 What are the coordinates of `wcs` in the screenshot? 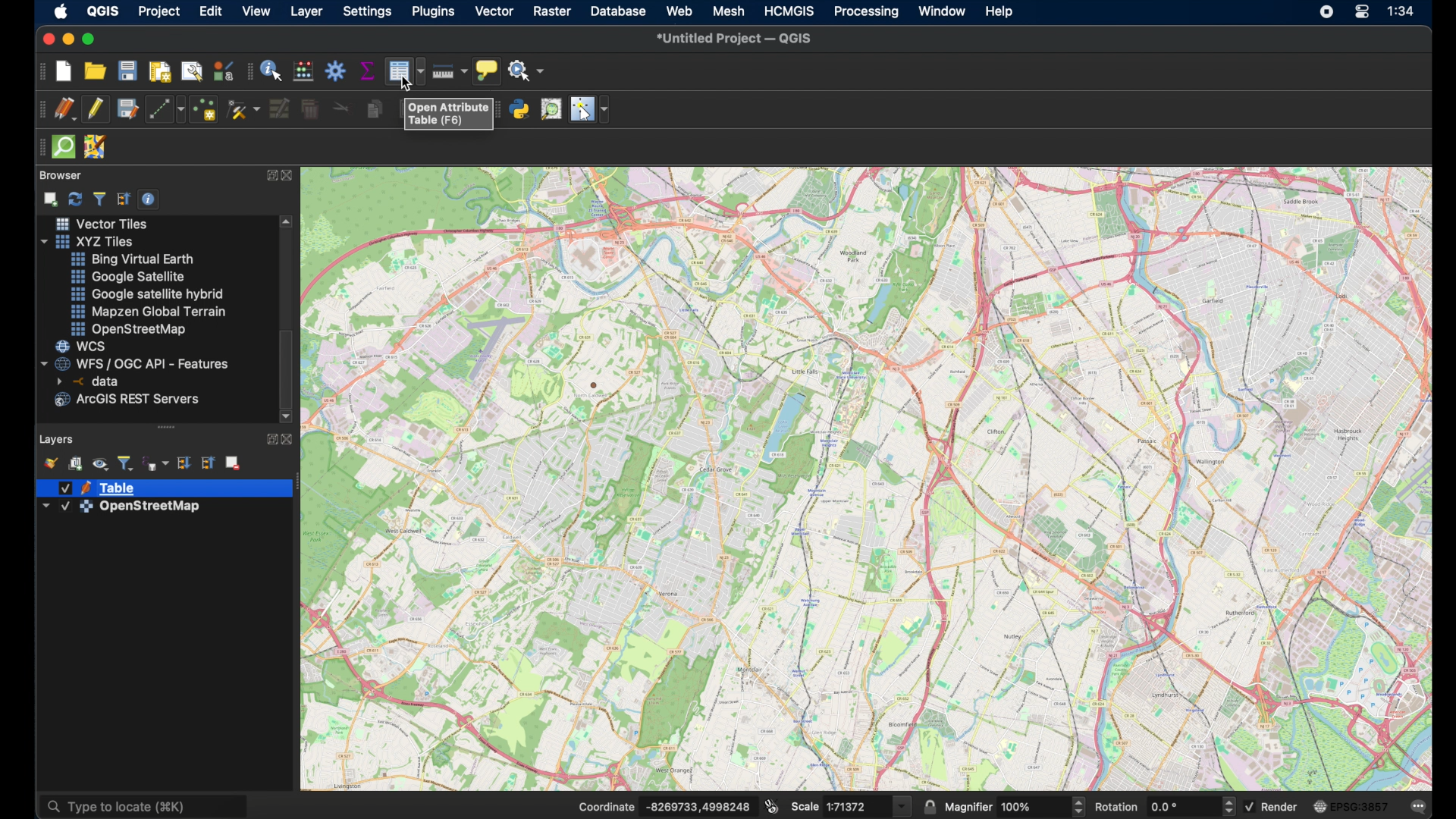 It's located at (84, 346).